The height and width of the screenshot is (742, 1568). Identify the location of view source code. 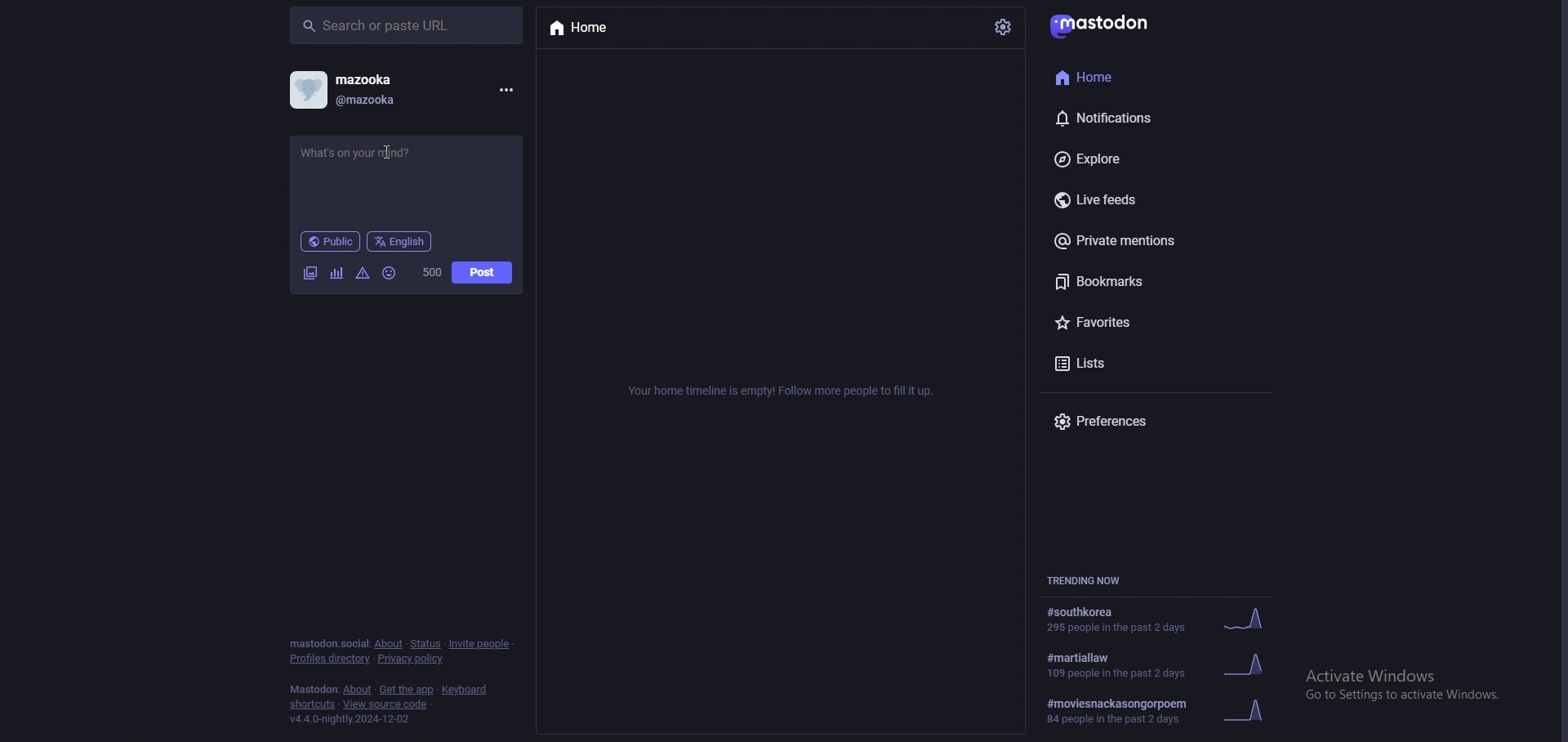
(386, 704).